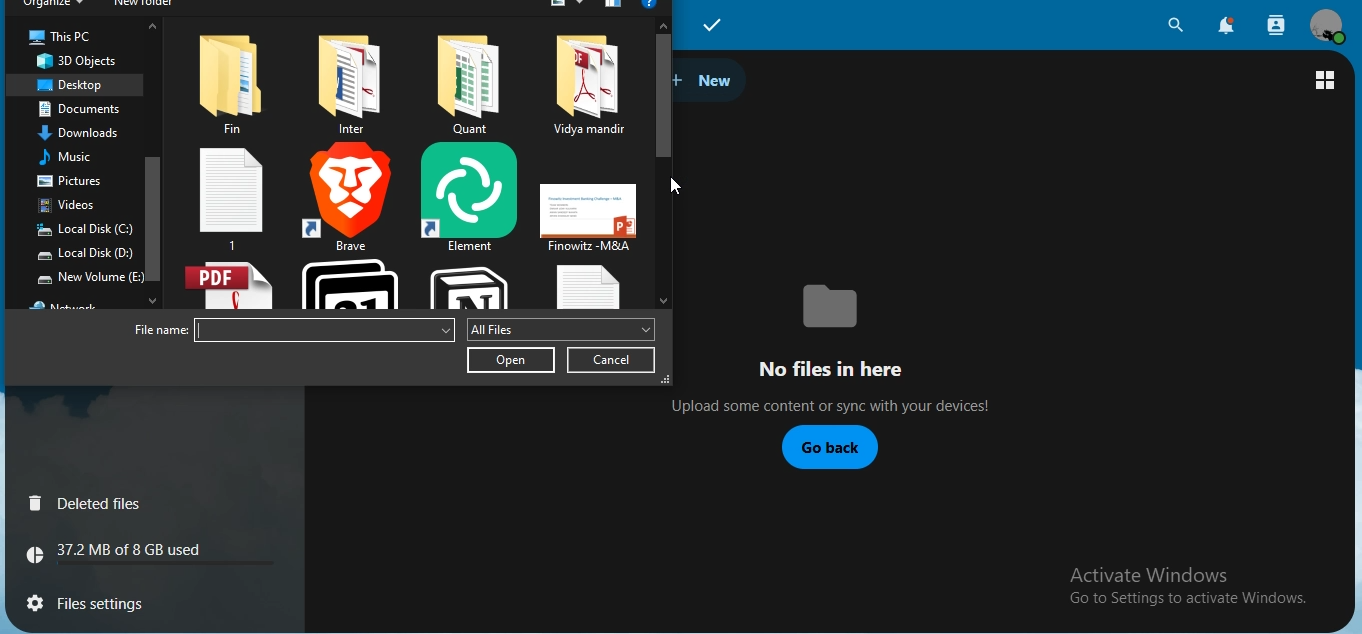 The image size is (1362, 634). What do you see at coordinates (1273, 24) in the screenshot?
I see `search contacts` at bounding box center [1273, 24].